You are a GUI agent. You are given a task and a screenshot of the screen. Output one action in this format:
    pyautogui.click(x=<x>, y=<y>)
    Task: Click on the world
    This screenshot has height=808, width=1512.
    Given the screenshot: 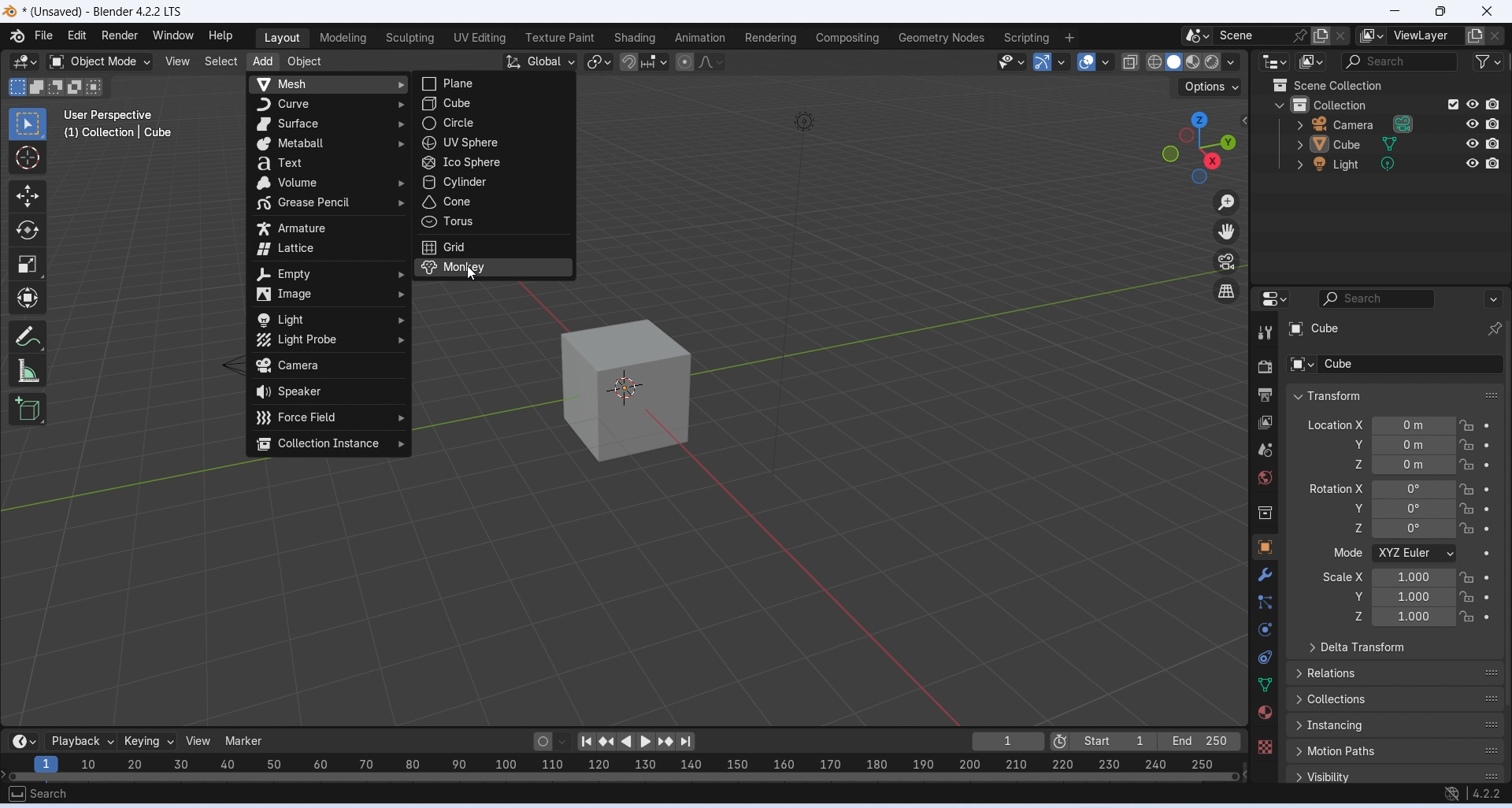 What is the action you would take?
    pyautogui.click(x=1266, y=477)
    